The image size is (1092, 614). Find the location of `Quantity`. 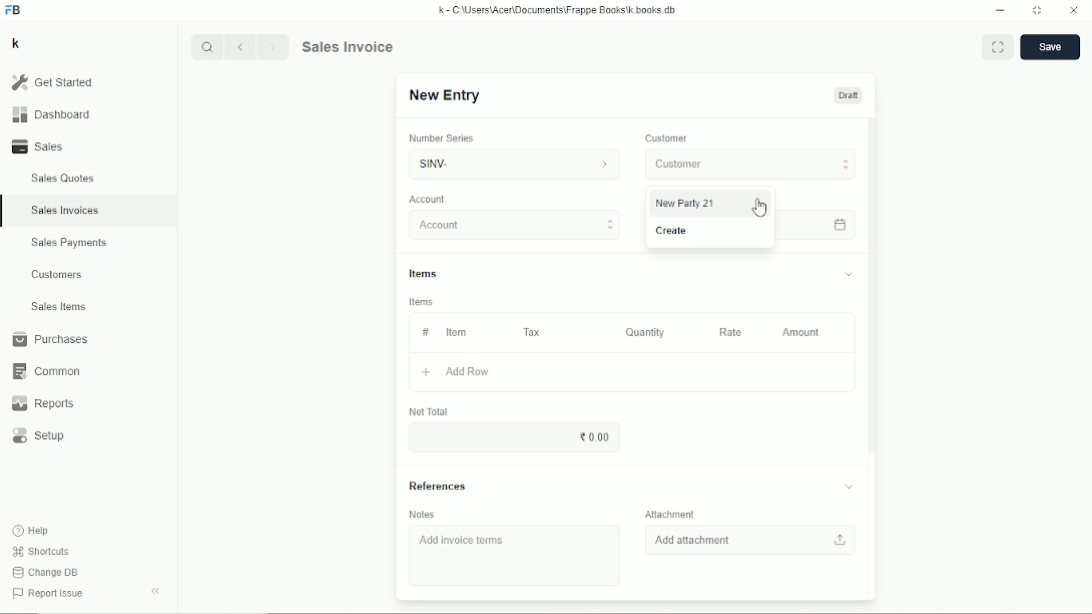

Quantity is located at coordinates (645, 332).